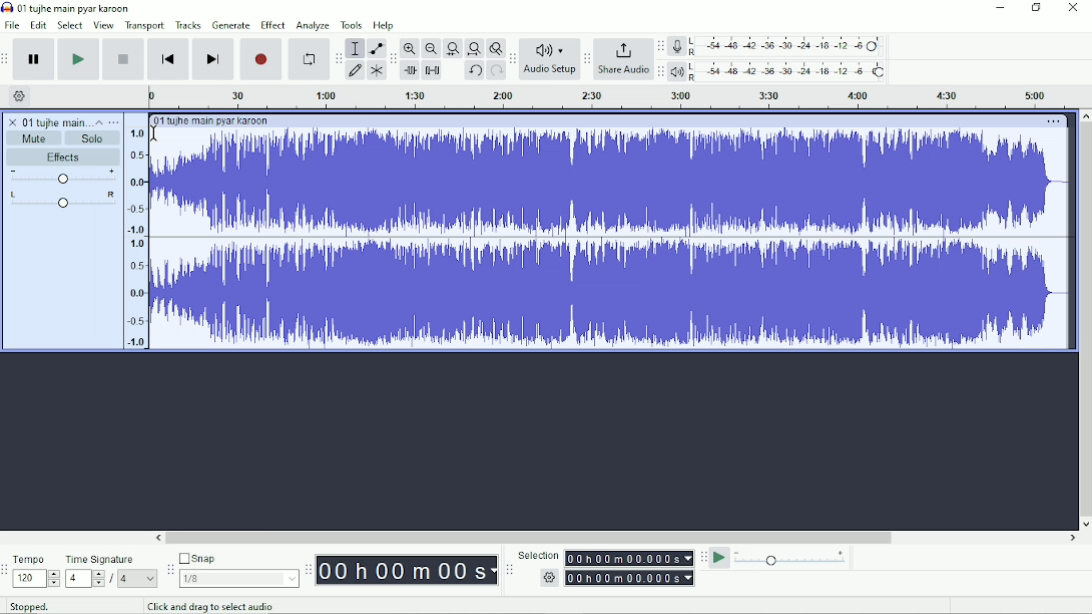 Image resolution: width=1092 pixels, height=614 pixels. What do you see at coordinates (355, 72) in the screenshot?
I see `Draw tool` at bounding box center [355, 72].